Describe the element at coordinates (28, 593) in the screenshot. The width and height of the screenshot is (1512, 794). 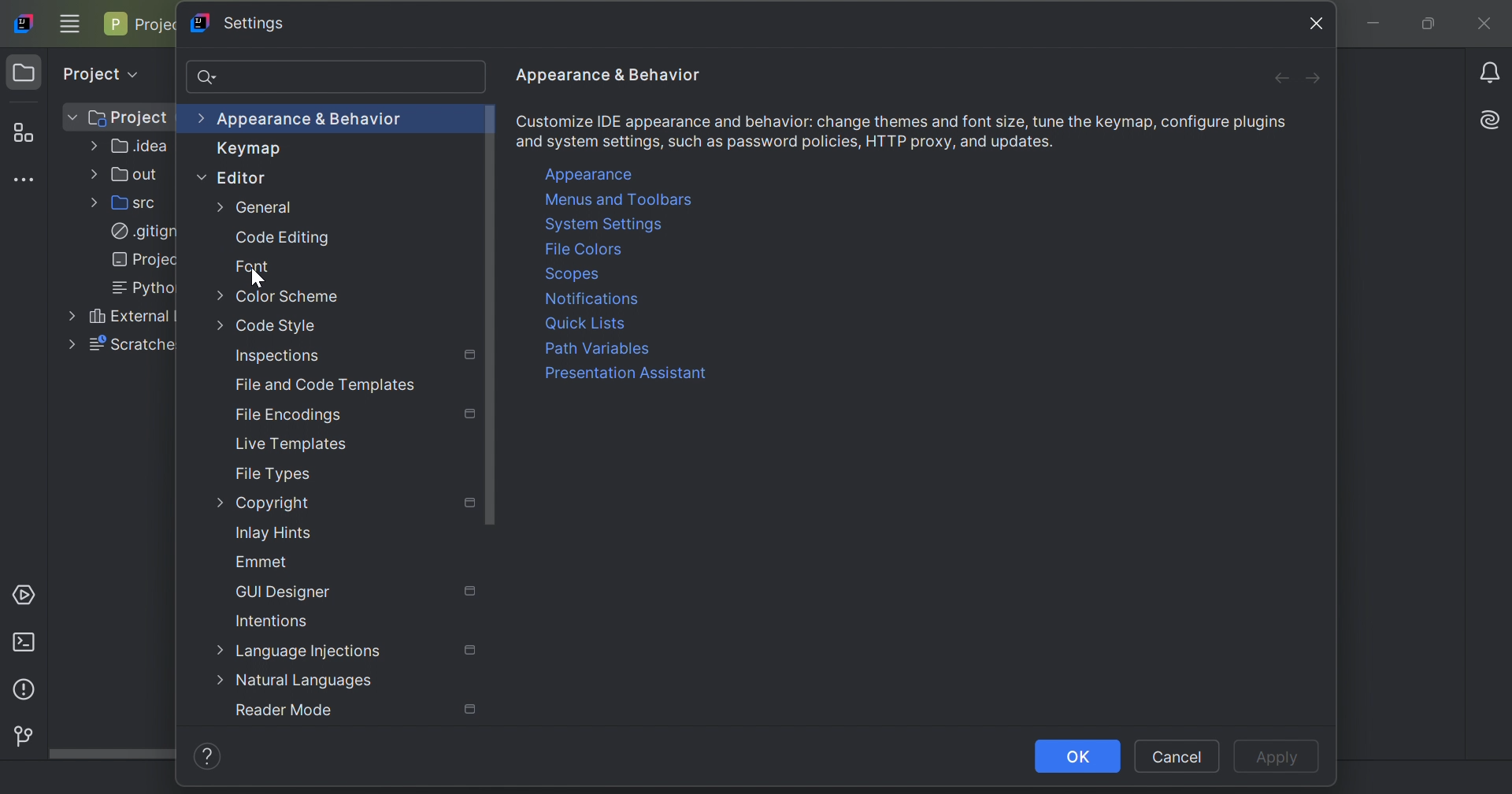
I see `Services` at that location.